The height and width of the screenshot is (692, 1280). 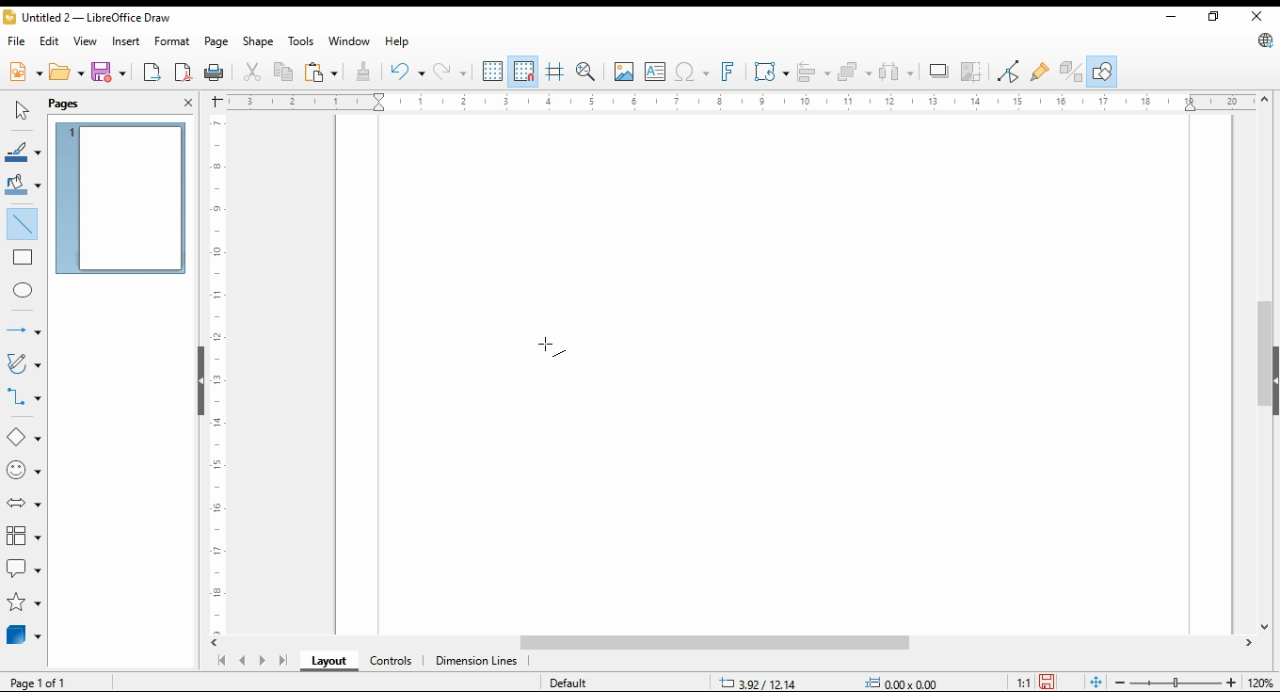 What do you see at coordinates (23, 183) in the screenshot?
I see `fill color` at bounding box center [23, 183].